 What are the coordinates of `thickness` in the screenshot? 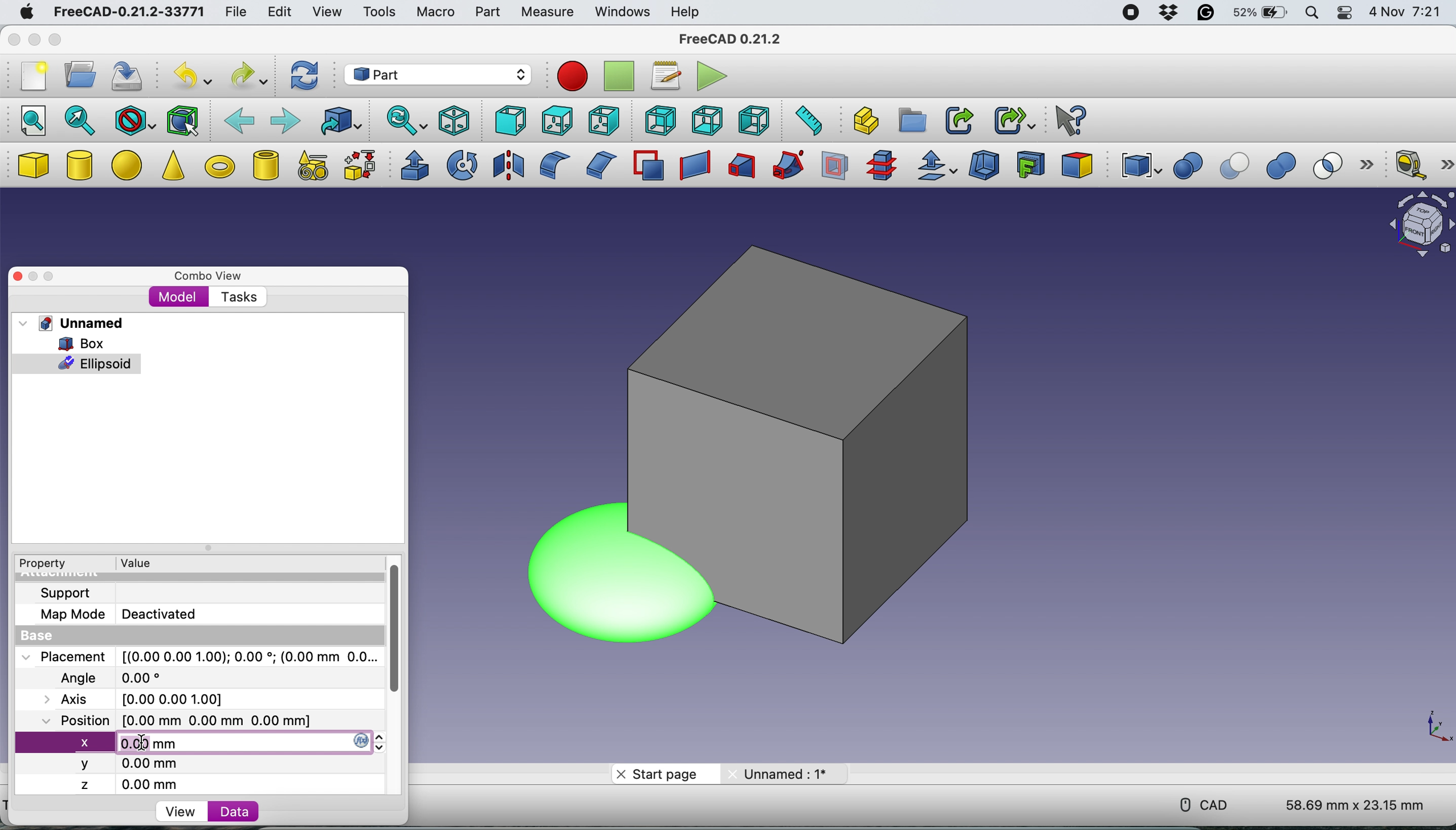 It's located at (985, 166).